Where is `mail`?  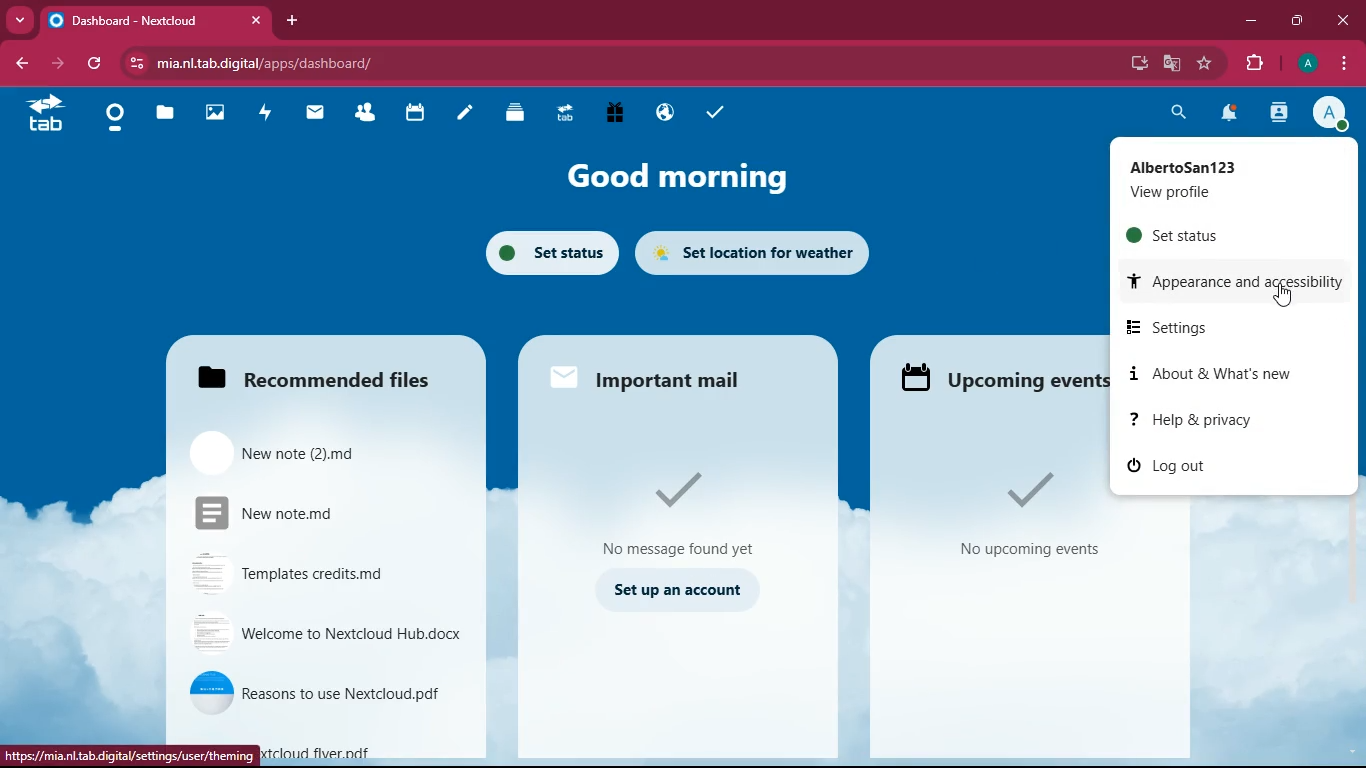 mail is located at coordinates (310, 113).